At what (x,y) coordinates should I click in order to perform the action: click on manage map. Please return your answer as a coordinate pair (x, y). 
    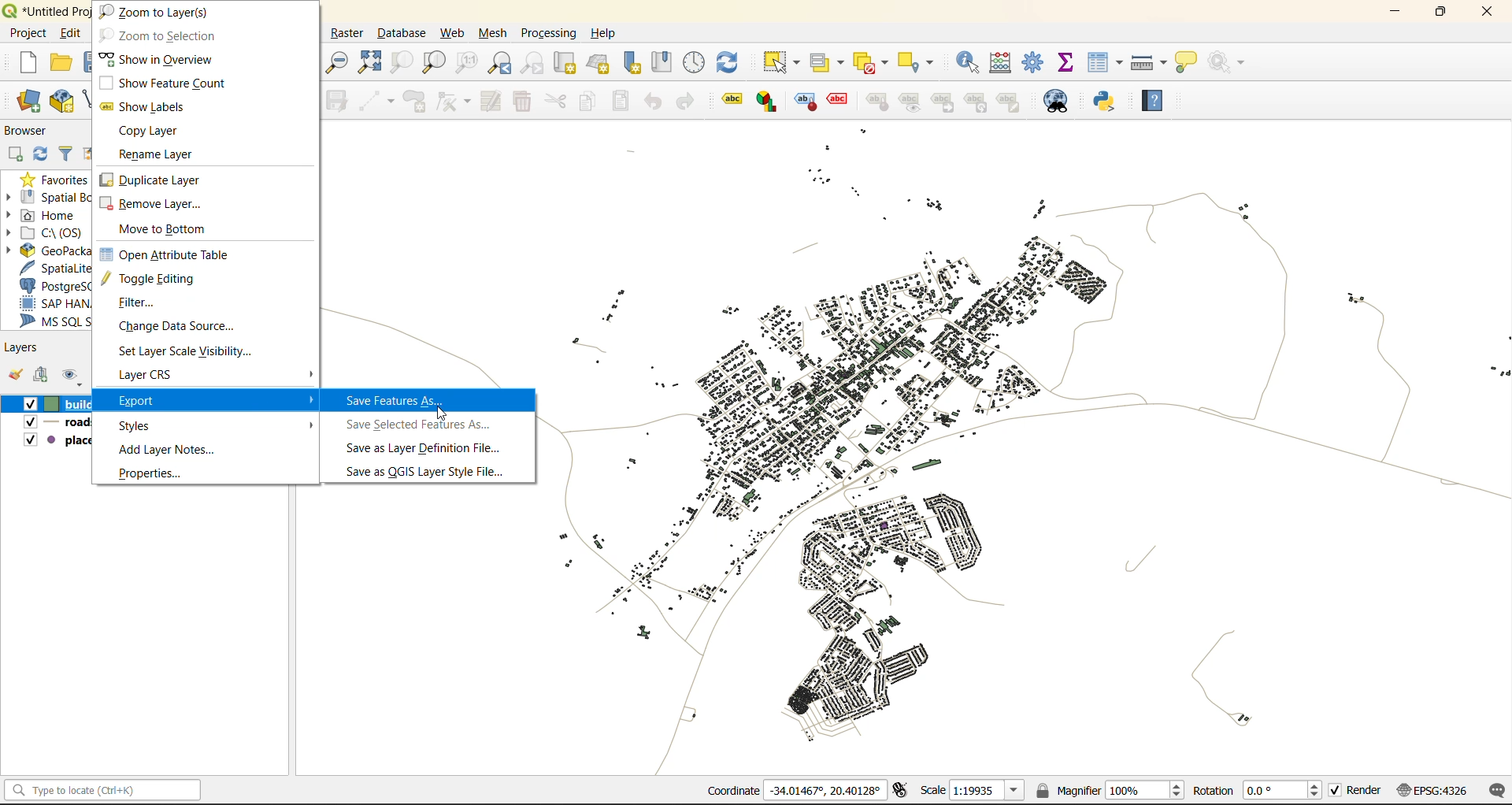
    Looking at the image, I should click on (69, 377).